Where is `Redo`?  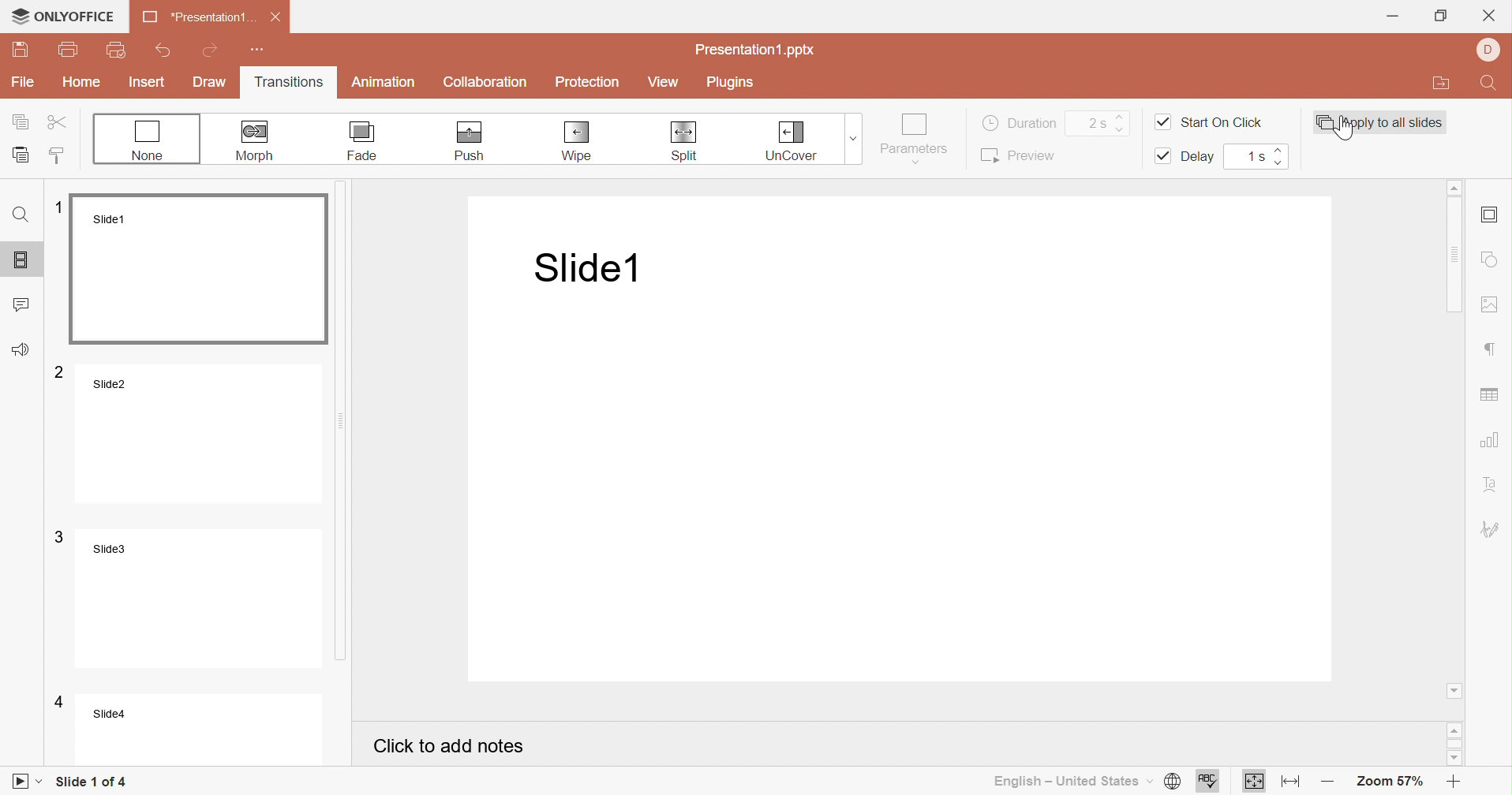 Redo is located at coordinates (213, 49).